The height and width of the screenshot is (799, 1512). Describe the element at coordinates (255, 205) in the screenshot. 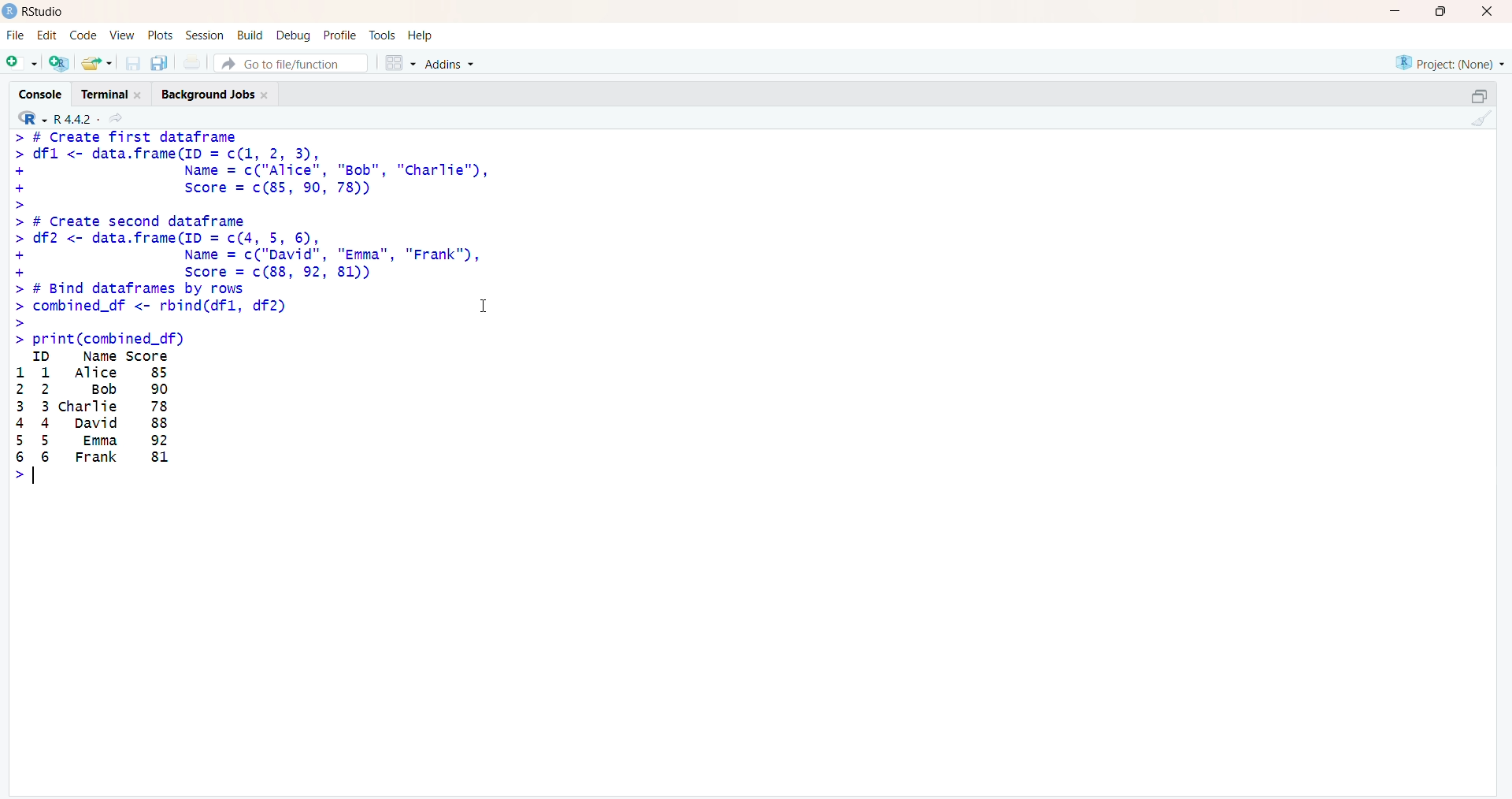

I see `# Create Tirst datatramedfl <- data.frame(ID = c(1, 2, 3),Name = c("Alice", "Bob", "Charlie"),Score = c(85, 90, 78))# Create second dataframedf2 <- data.frame(ID = c(4, 5, 6),Name = c("David", "Emma", "Frank"),Score = c(88, 92, 81))` at that location.